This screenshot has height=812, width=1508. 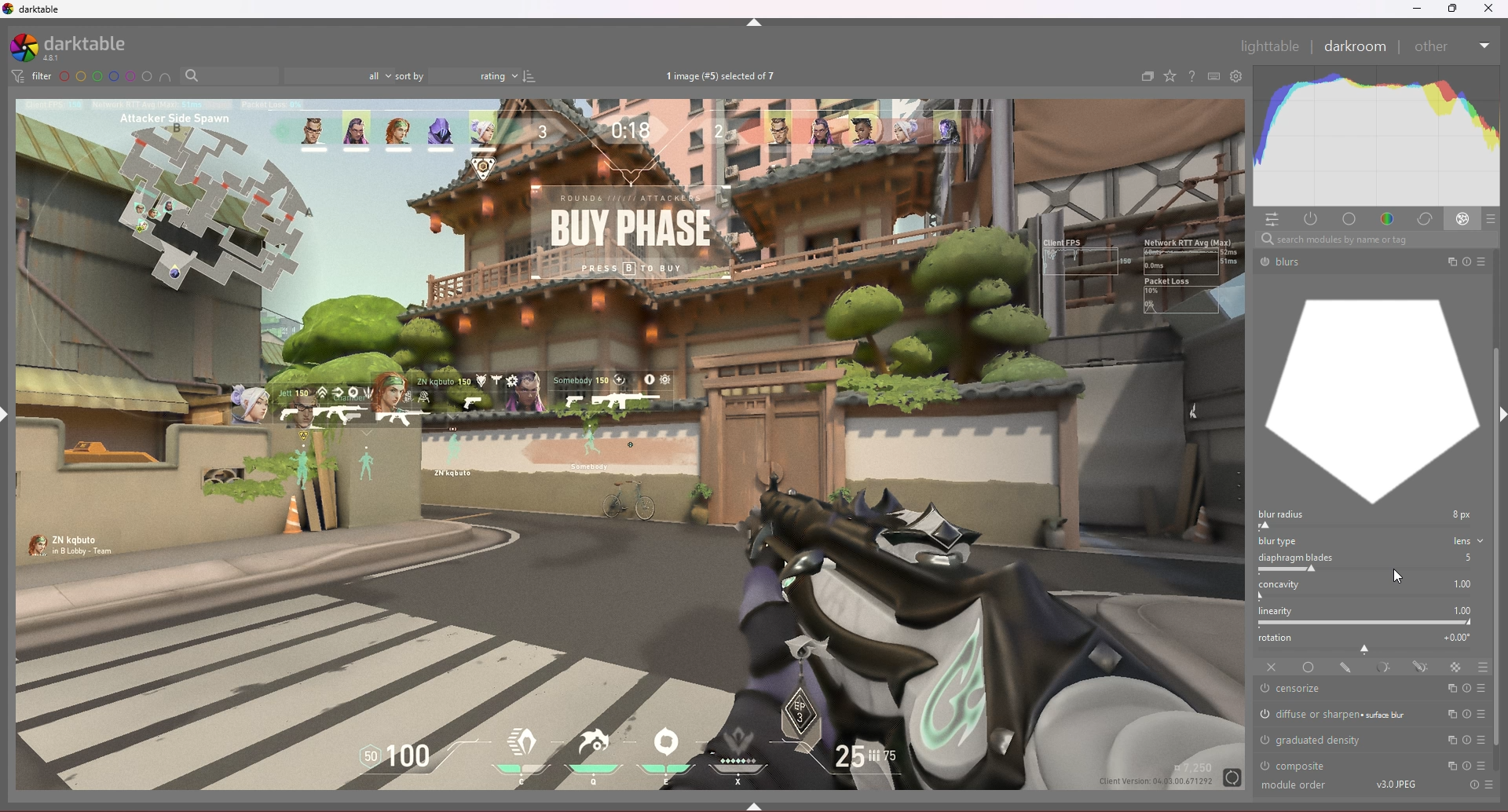 What do you see at coordinates (1372, 400) in the screenshot?
I see `graph` at bounding box center [1372, 400].